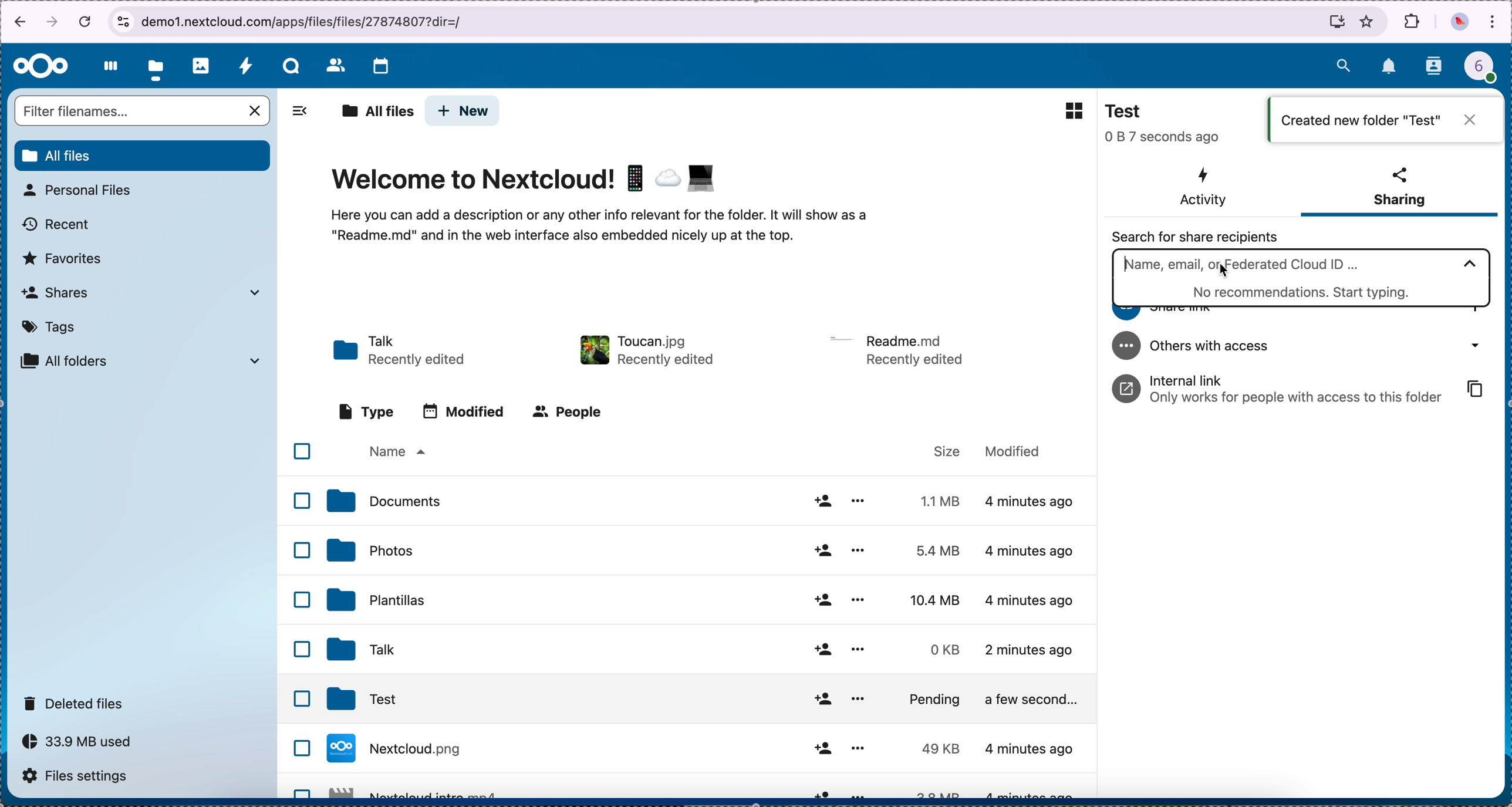 This screenshot has width=1512, height=807. What do you see at coordinates (245, 65) in the screenshot?
I see `activity` at bounding box center [245, 65].